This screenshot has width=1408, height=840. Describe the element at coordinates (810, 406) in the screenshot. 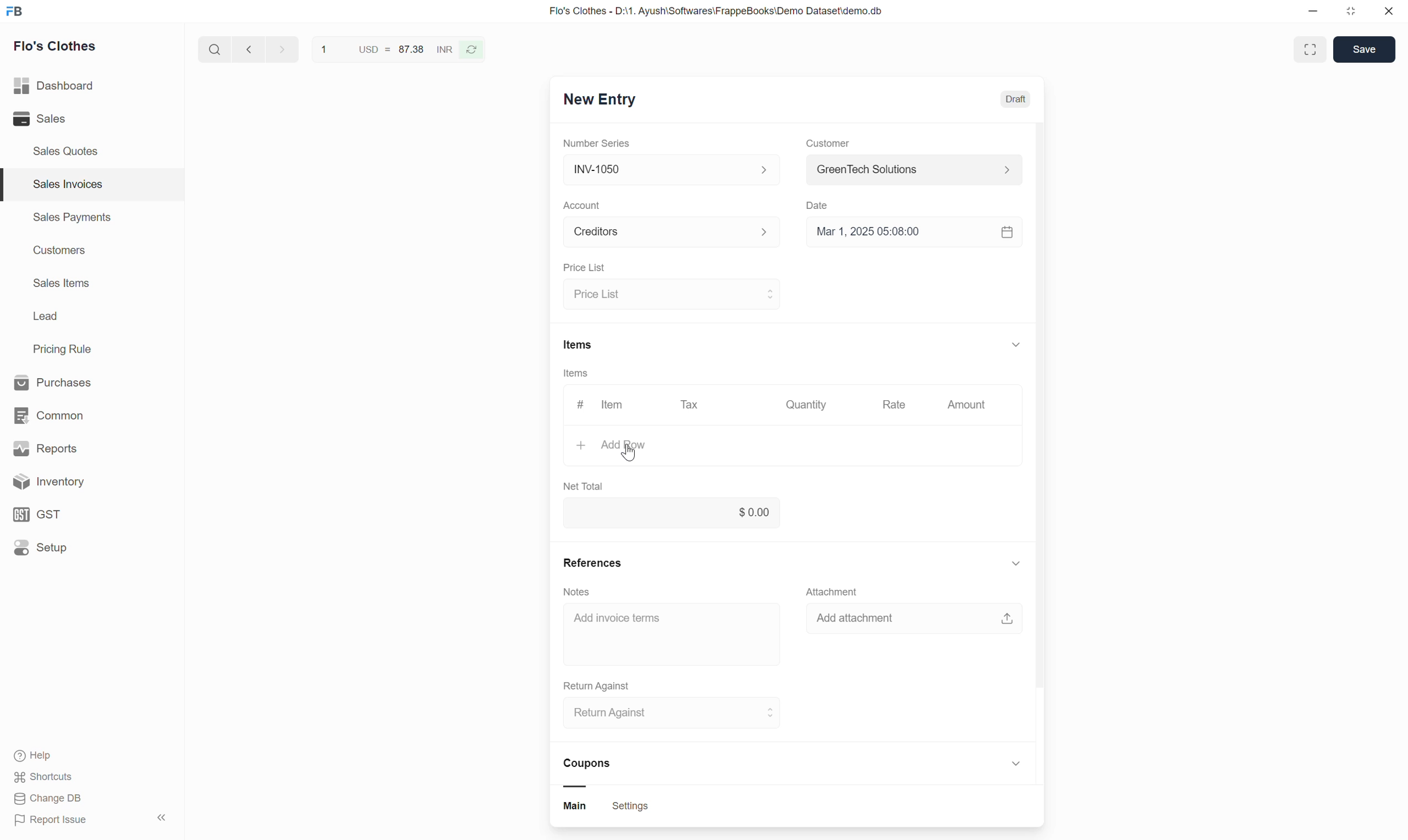

I see `Quantity` at that location.